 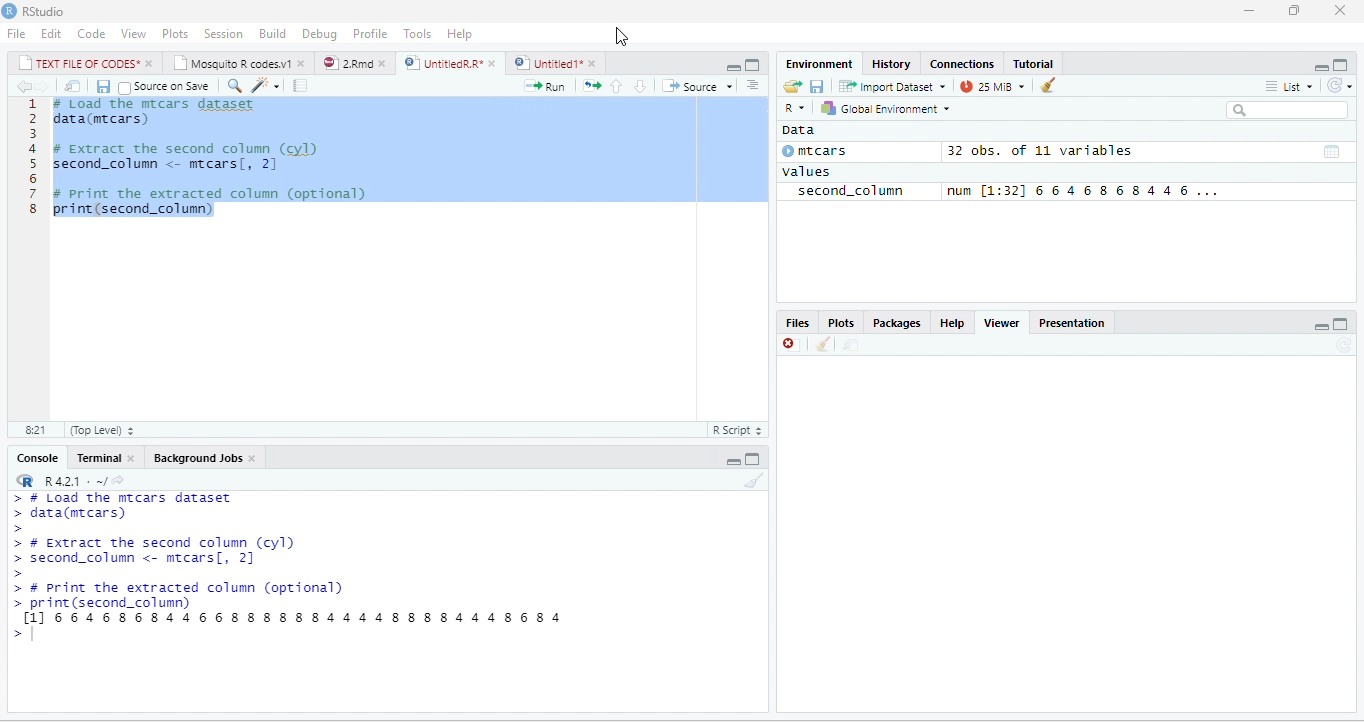 What do you see at coordinates (899, 324) in the screenshot?
I see `Packages` at bounding box center [899, 324].